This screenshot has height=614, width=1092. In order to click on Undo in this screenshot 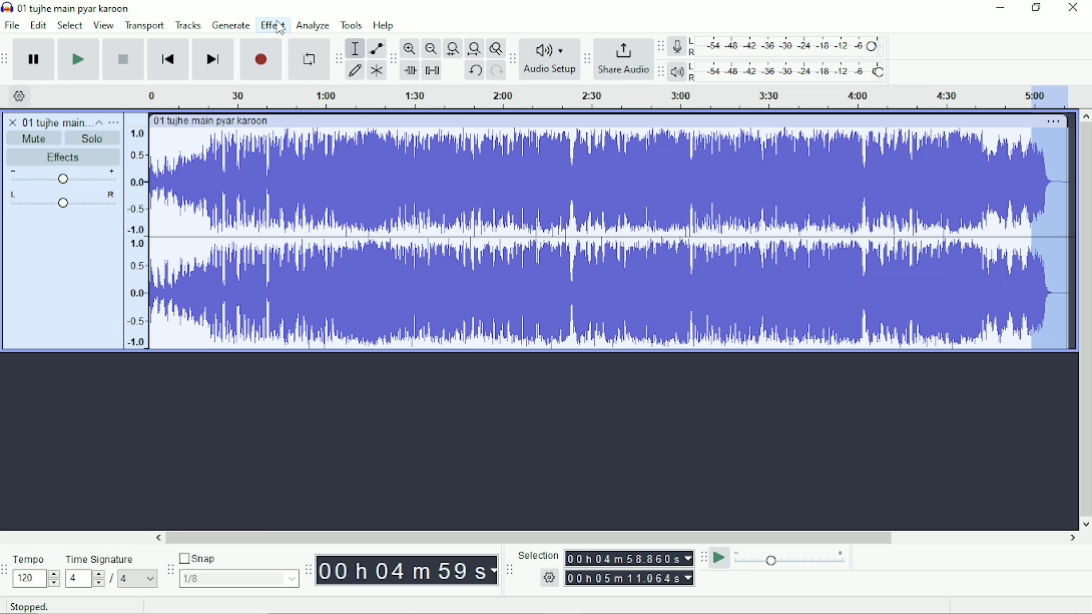, I will do `click(475, 70)`.